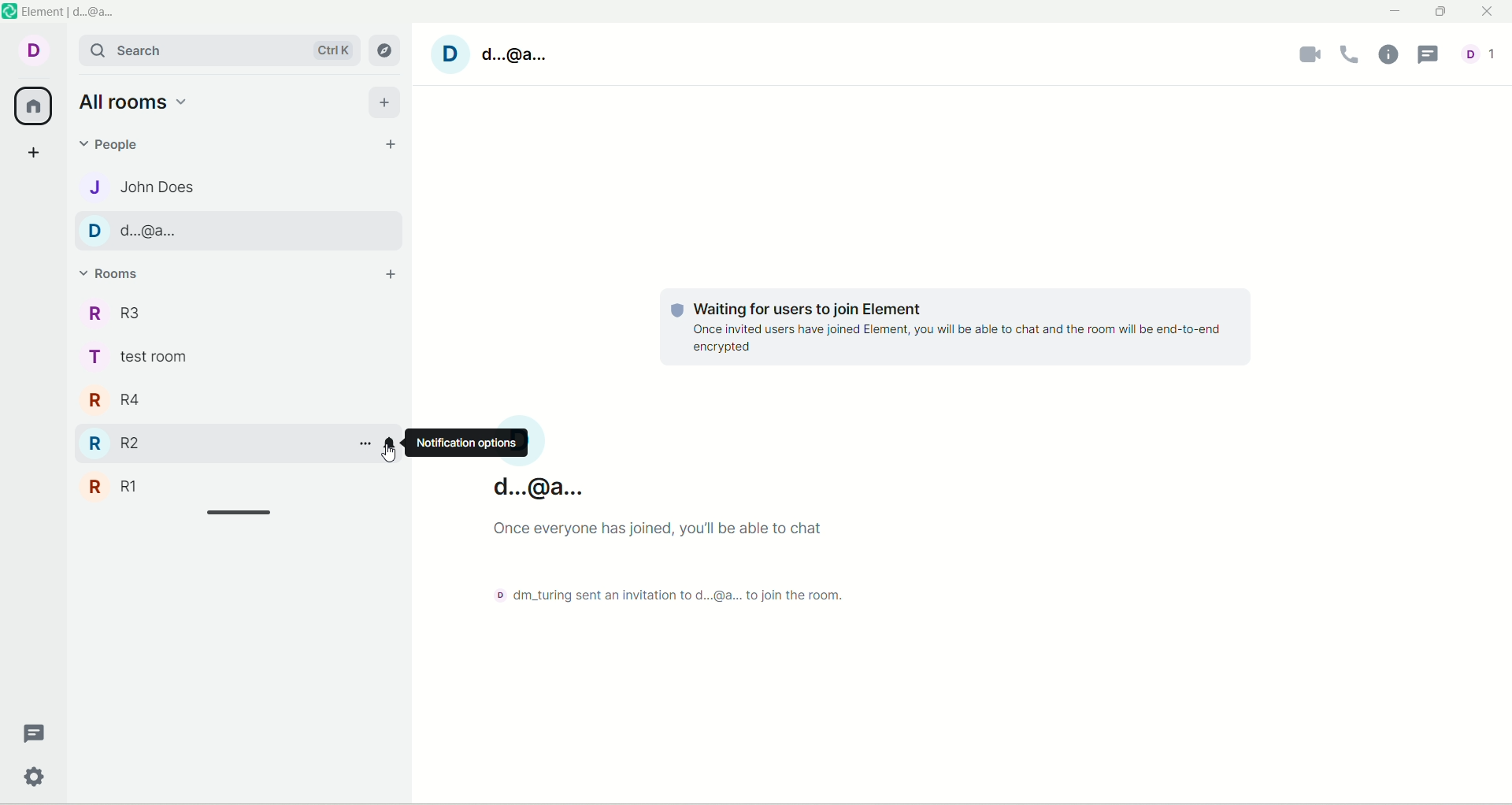 The height and width of the screenshot is (805, 1512). I want to click on start chat, so click(387, 149).